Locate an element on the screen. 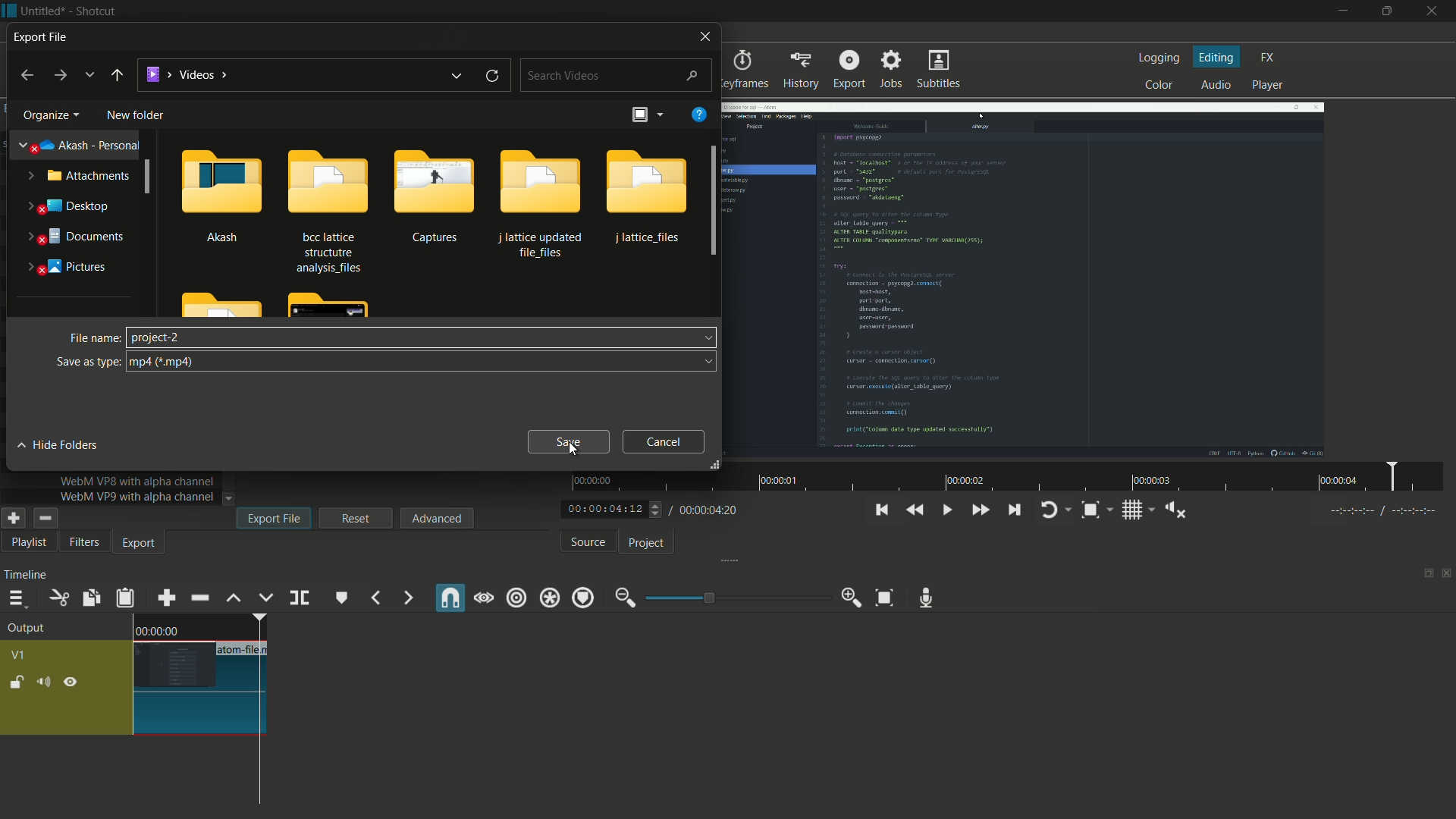 Image resolution: width=1456 pixels, height=819 pixels. mp4(*.mp4) is located at coordinates (168, 362).